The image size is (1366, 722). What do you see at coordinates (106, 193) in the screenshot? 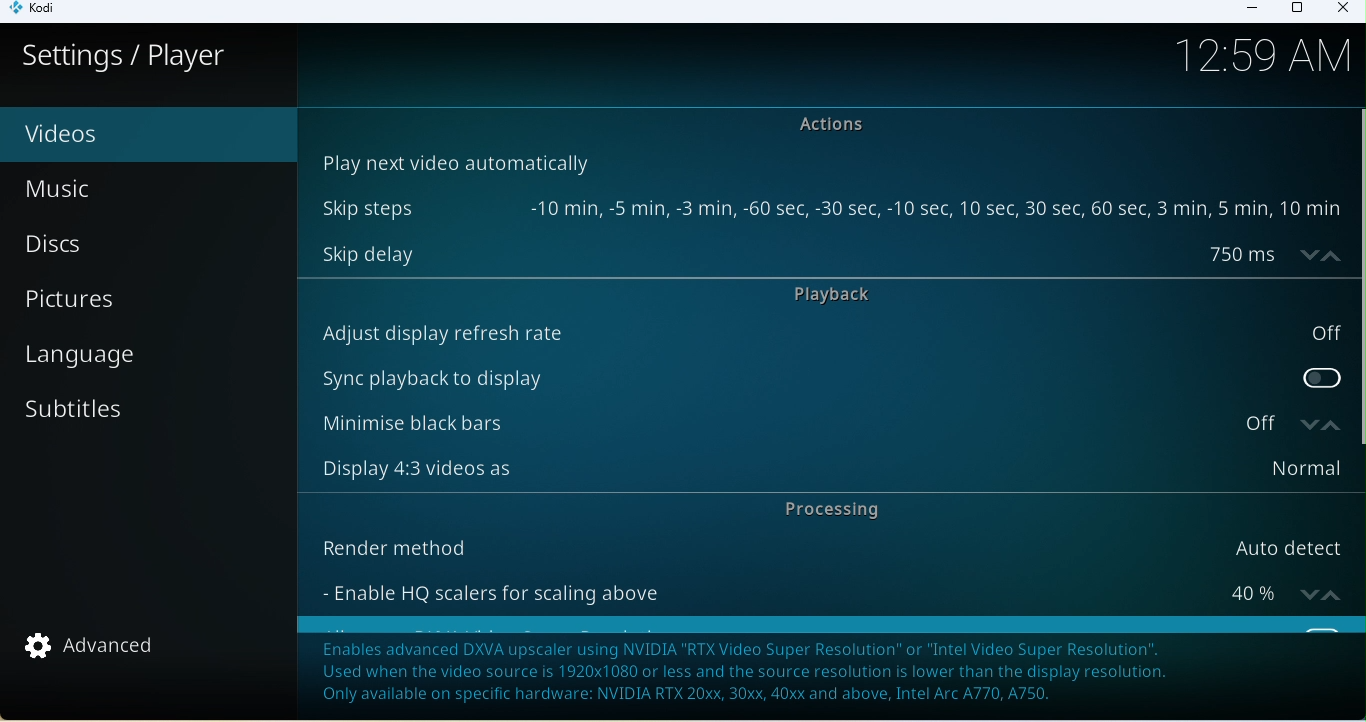
I see `Music` at bounding box center [106, 193].